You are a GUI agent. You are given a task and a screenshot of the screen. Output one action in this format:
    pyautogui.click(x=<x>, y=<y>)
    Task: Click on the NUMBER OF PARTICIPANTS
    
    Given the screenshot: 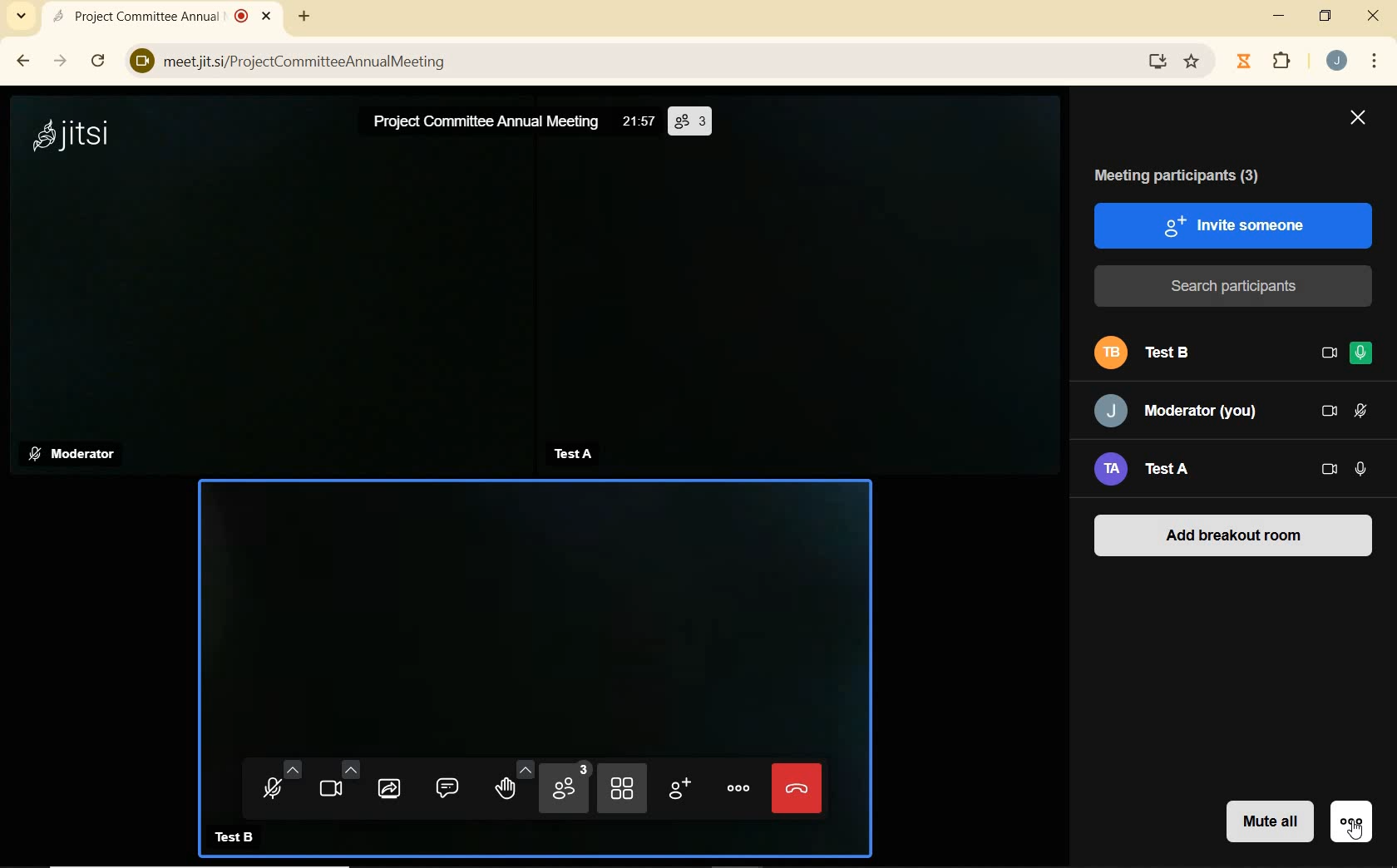 What is the action you would take?
    pyautogui.click(x=689, y=122)
    